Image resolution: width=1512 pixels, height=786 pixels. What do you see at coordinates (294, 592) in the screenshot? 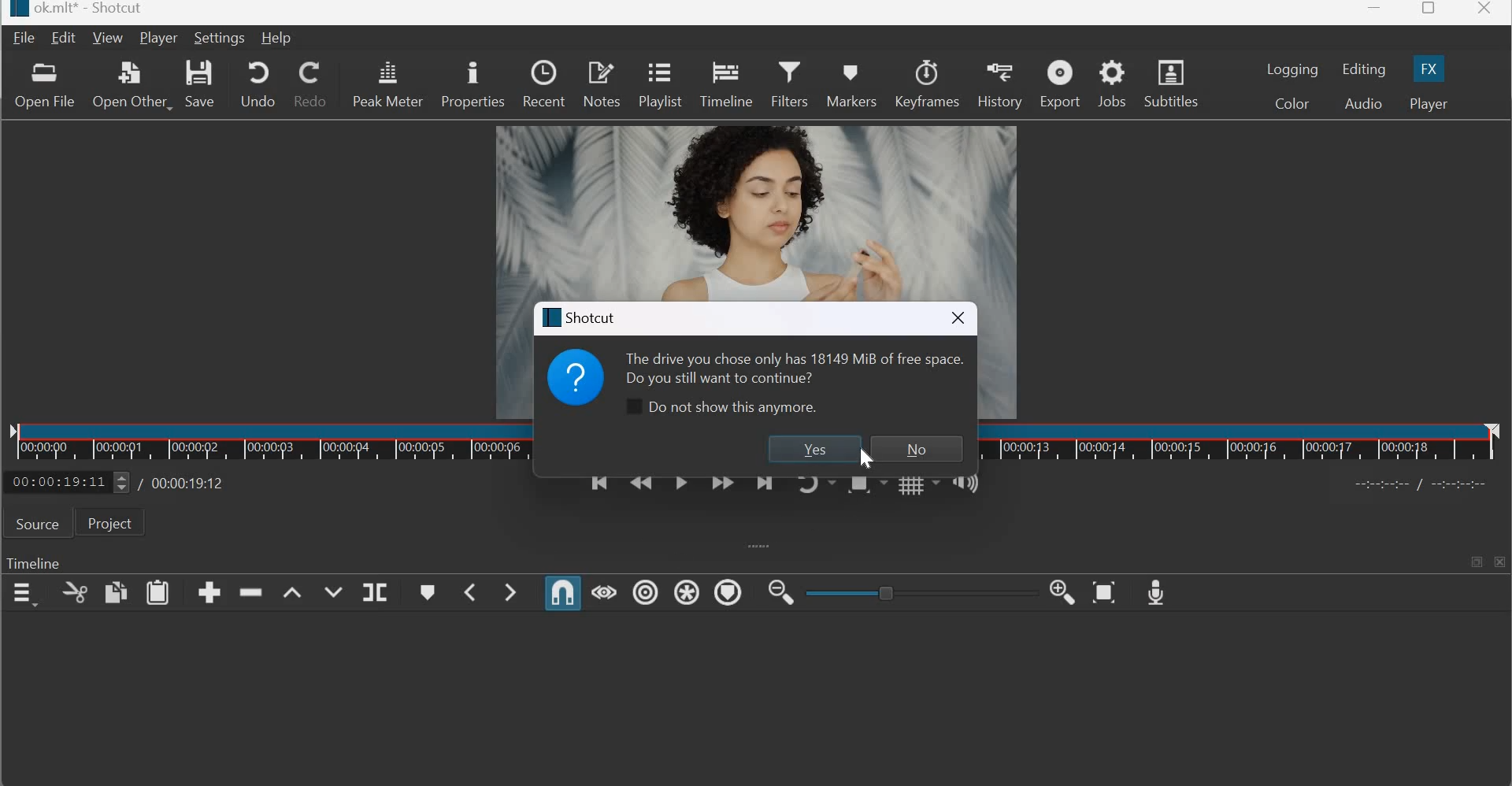
I see `lift` at bounding box center [294, 592].